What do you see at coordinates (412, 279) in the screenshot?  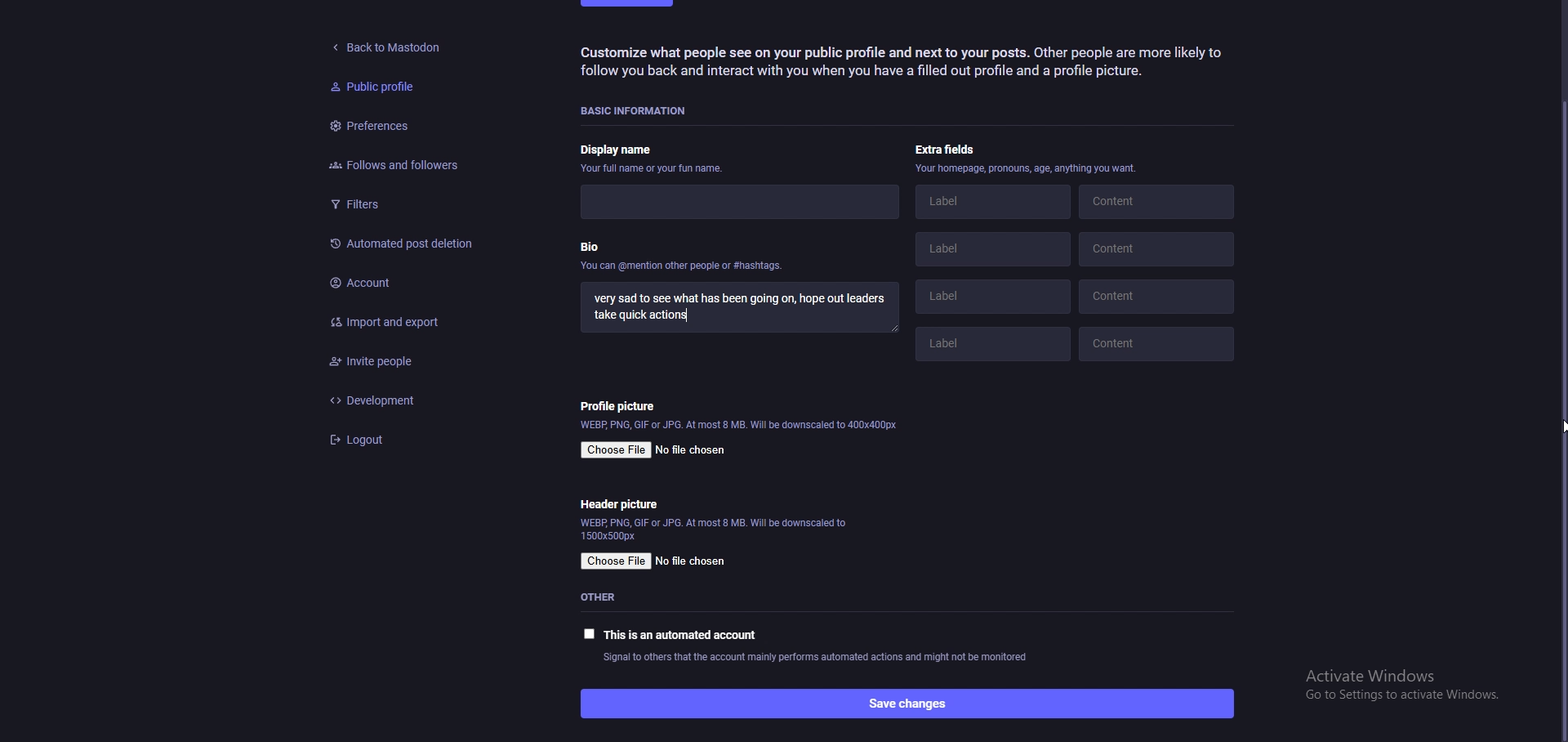 I see `Account` at bounding box center [412, 279].